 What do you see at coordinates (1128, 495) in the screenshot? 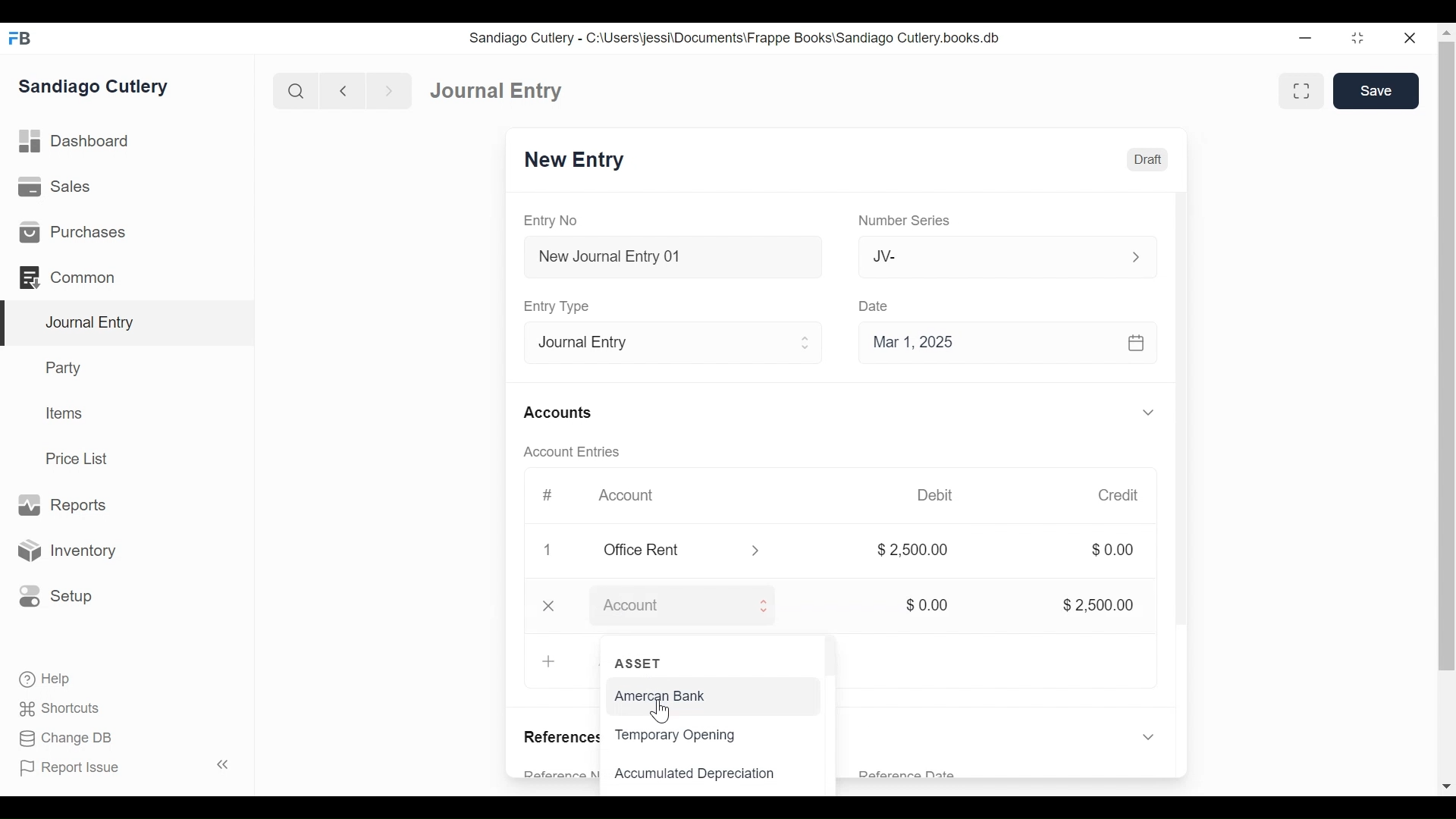
I see `Credit` at bounding box center [1128, 495].